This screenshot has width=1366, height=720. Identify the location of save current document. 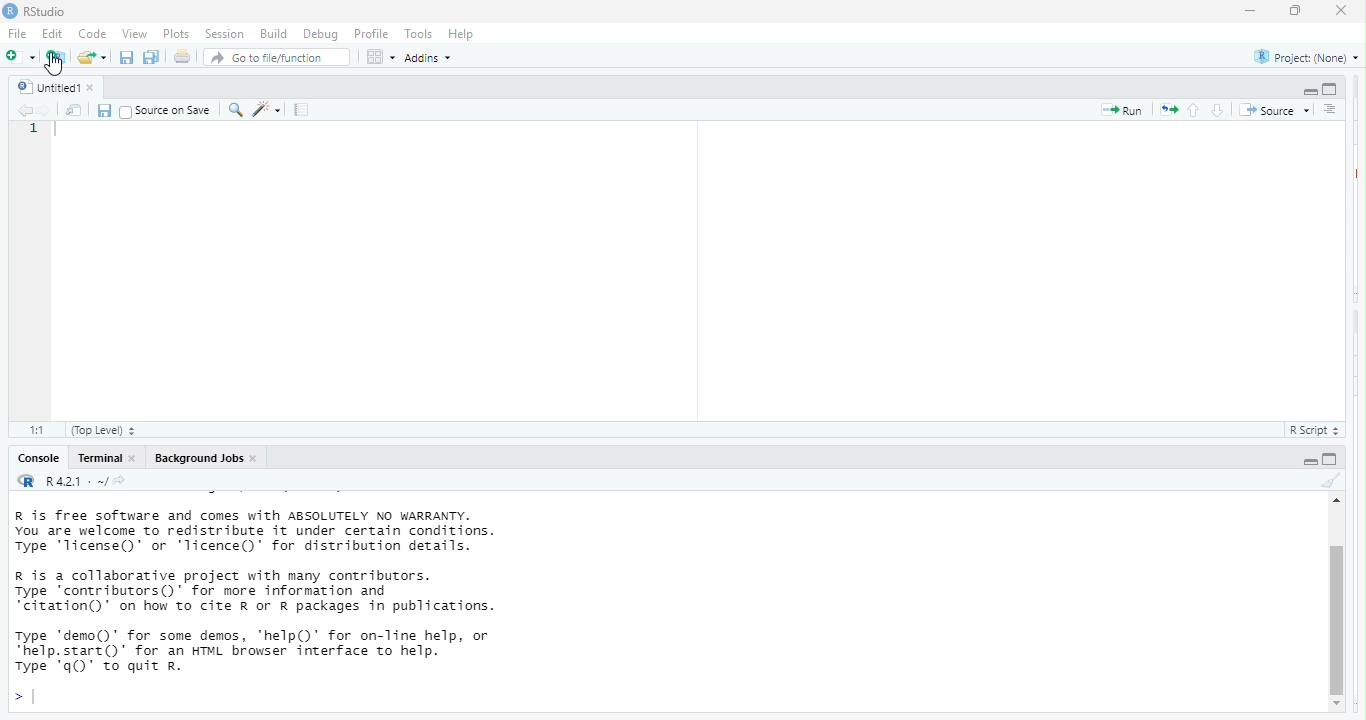
(126, 57).